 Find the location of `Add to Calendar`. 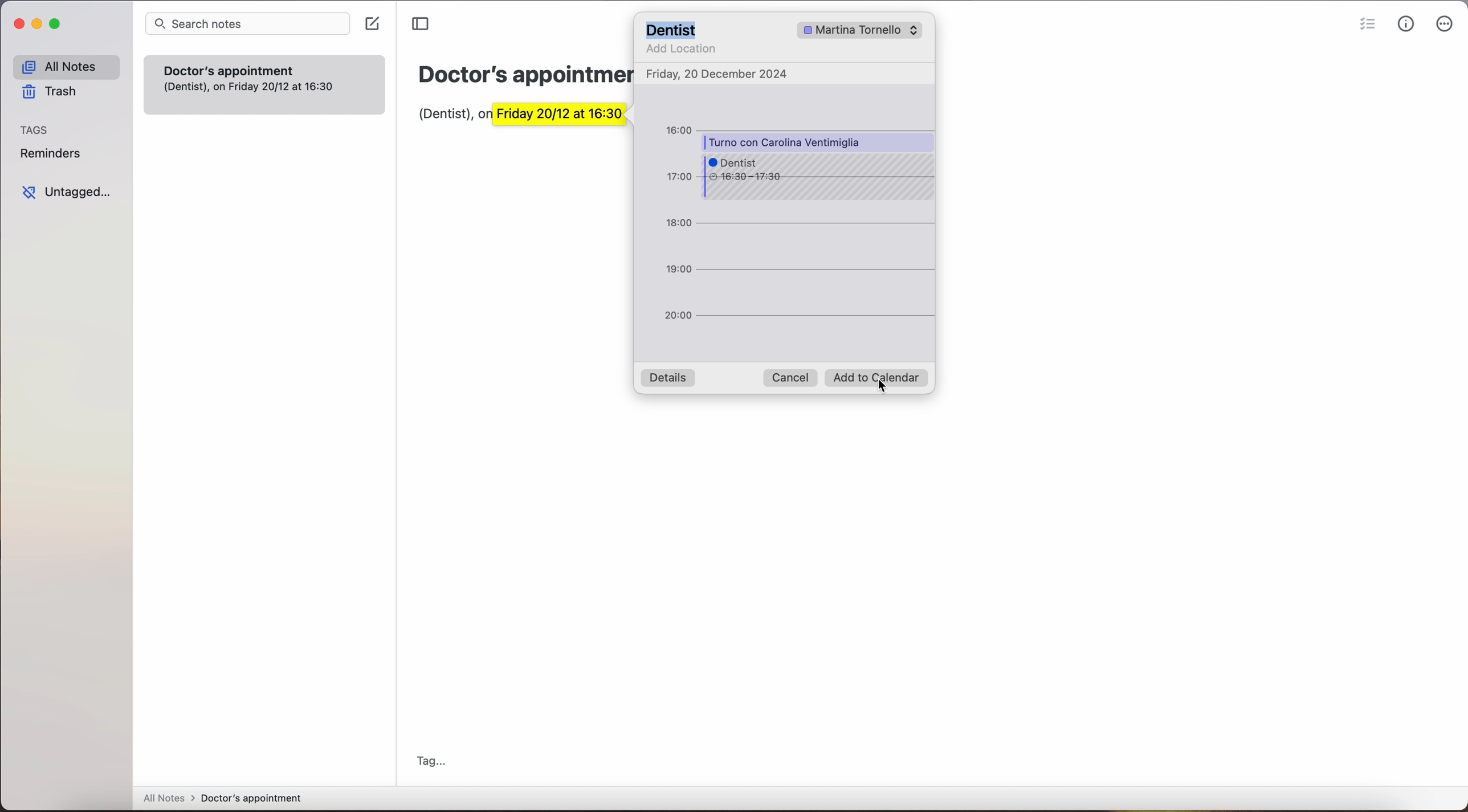

Add to Calendar is located at coordinates (879, 380).